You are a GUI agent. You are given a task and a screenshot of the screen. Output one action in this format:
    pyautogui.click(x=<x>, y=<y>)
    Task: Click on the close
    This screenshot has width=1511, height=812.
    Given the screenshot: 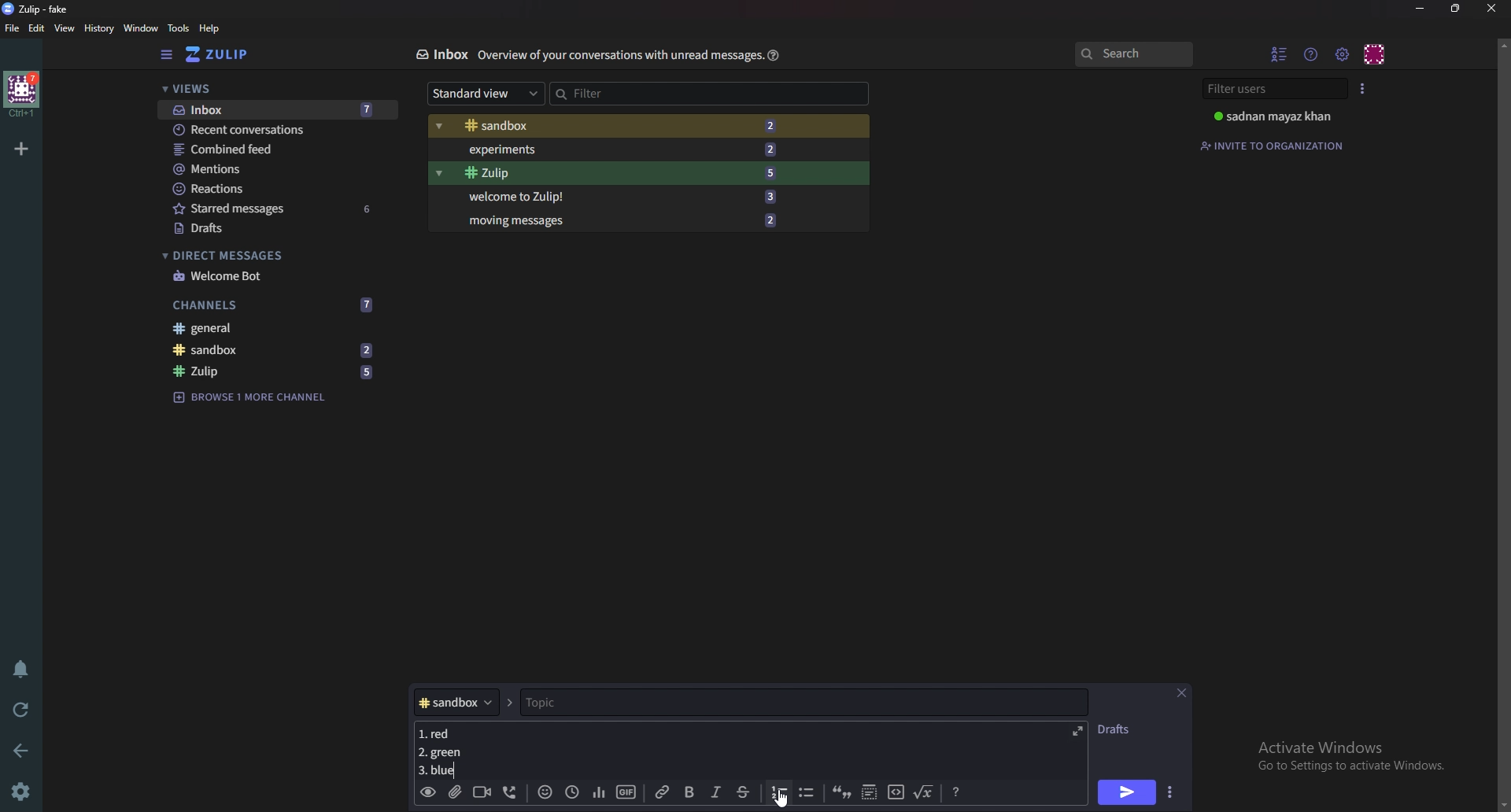 What is the action you would take?
    pyautogui.click(x=1491, y=8)
    